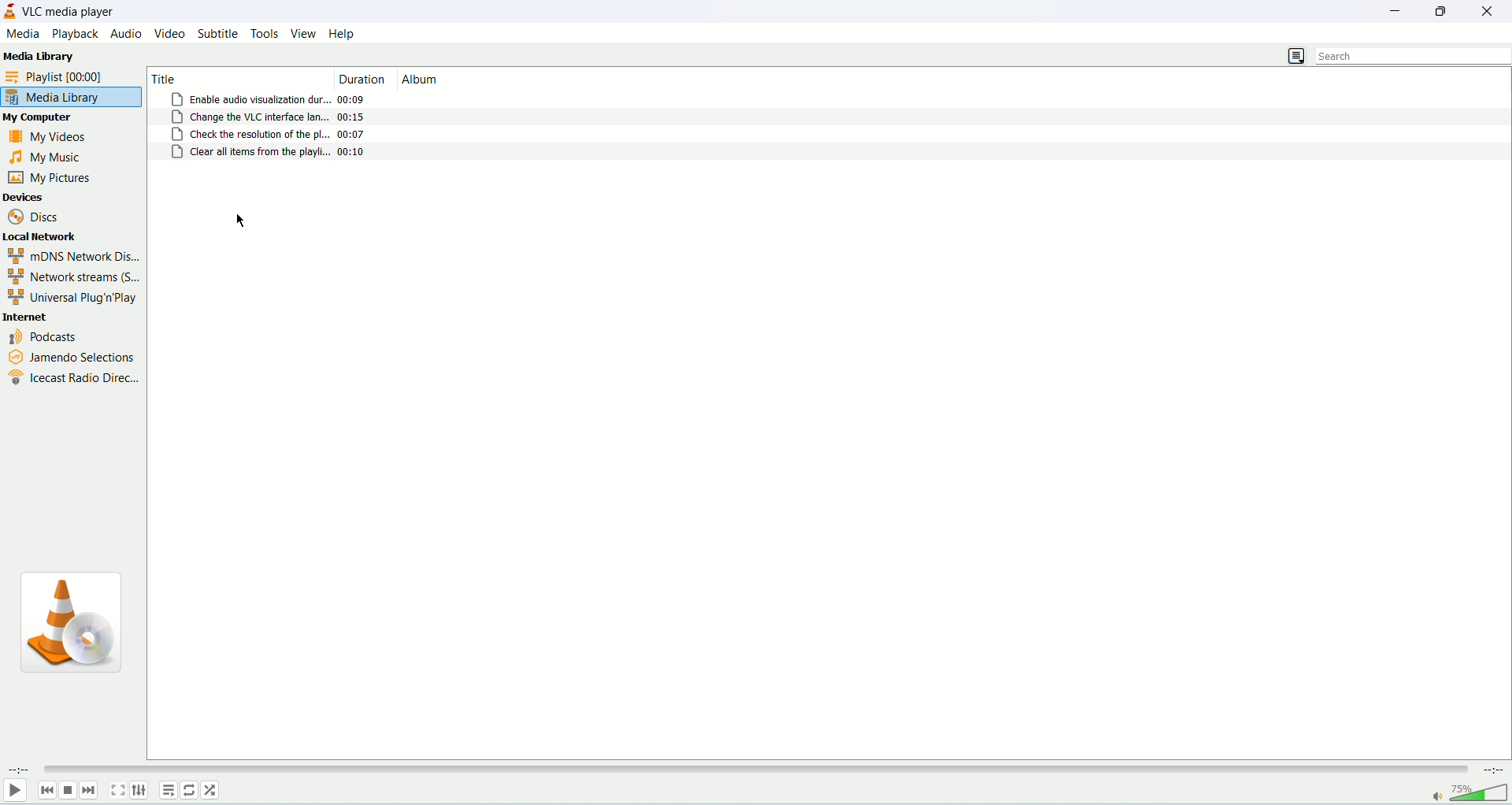 Image resolution: width=1512 pixels, height=805 pixels. I want to click on local network, so click(41, 236).